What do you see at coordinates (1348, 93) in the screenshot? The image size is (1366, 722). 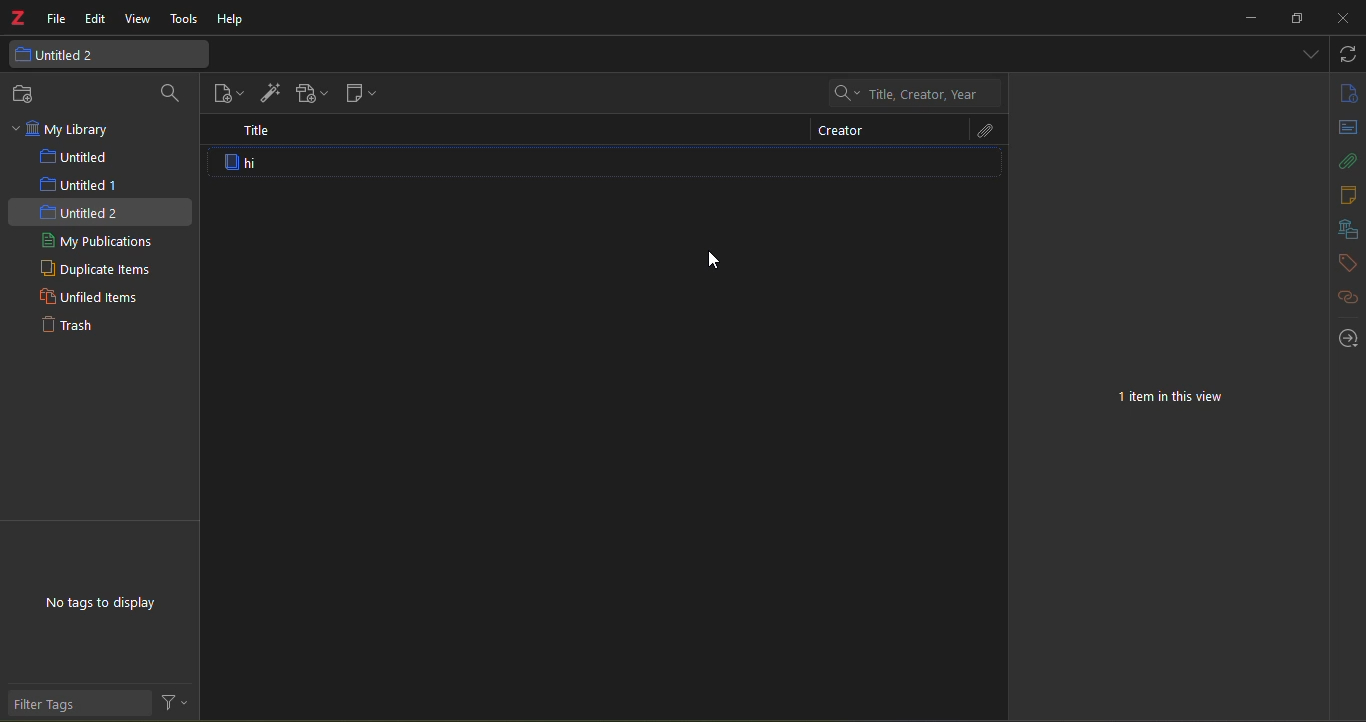 I see `info` at bounding box center [1348, 93].